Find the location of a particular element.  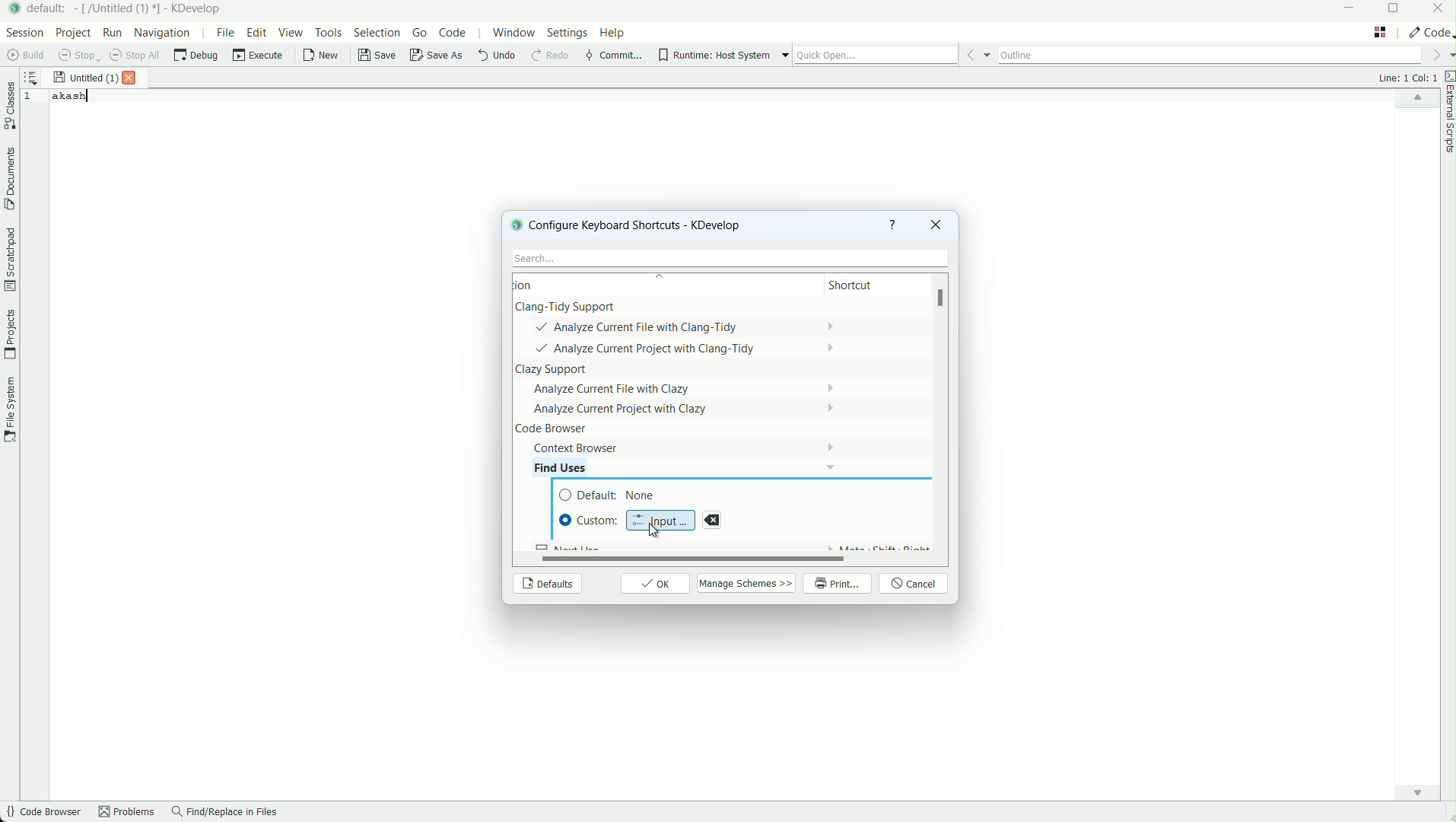

scroll bar is located at coordinates (943, 301).